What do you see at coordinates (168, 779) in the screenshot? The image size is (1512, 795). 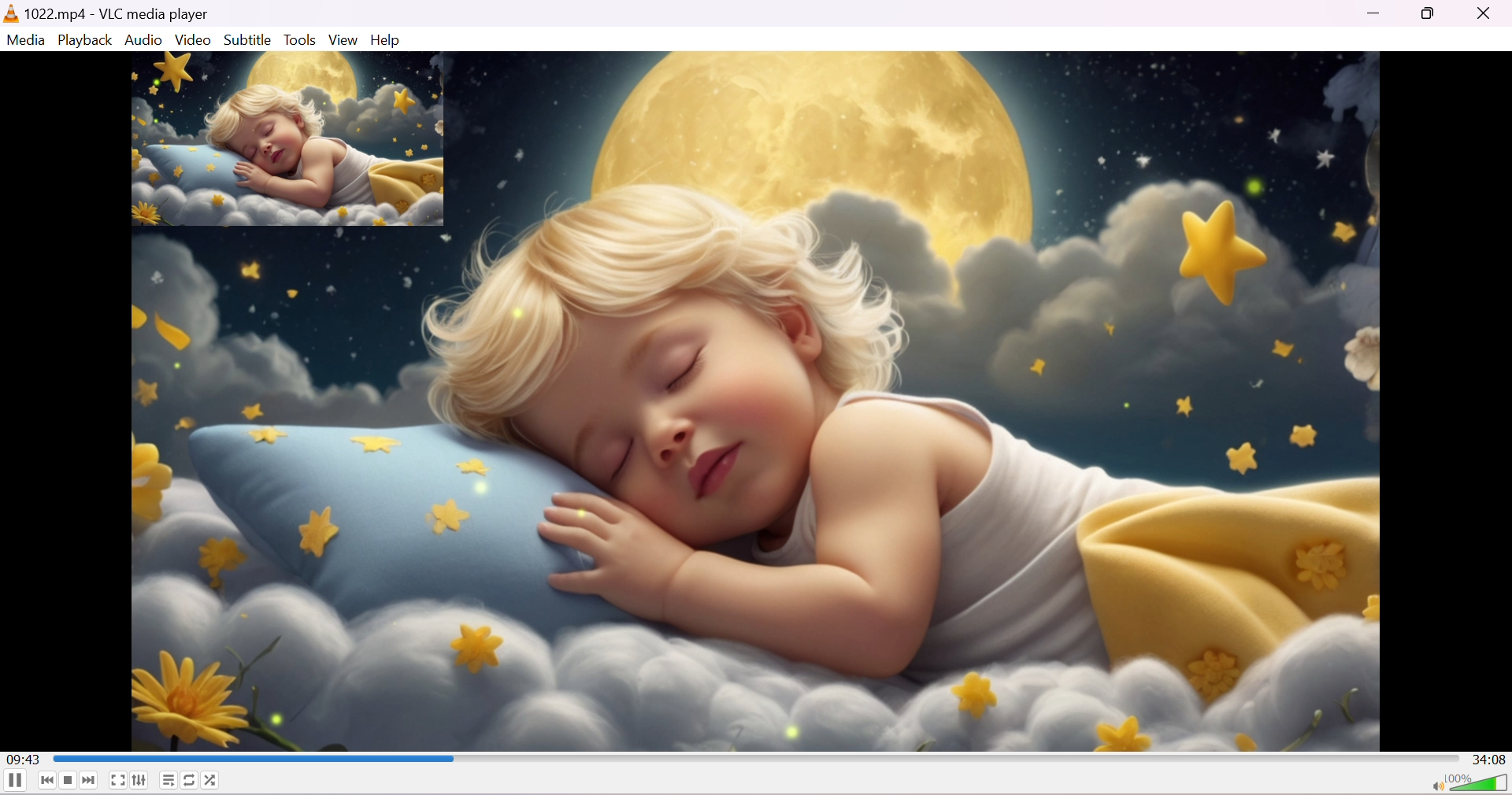 I see `Toggle playlist` at bounding box center [168, 779].